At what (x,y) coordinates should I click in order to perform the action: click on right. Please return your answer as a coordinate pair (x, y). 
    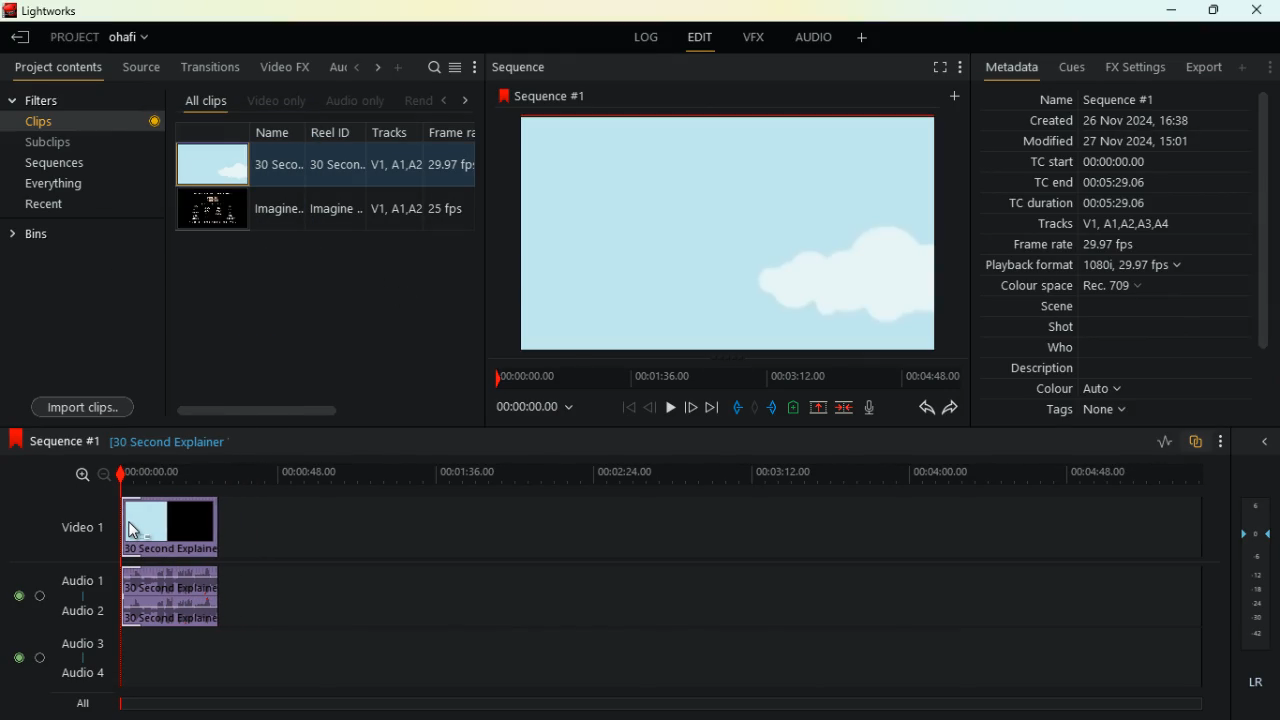
    Looking at the image, I should click on (468, 100).